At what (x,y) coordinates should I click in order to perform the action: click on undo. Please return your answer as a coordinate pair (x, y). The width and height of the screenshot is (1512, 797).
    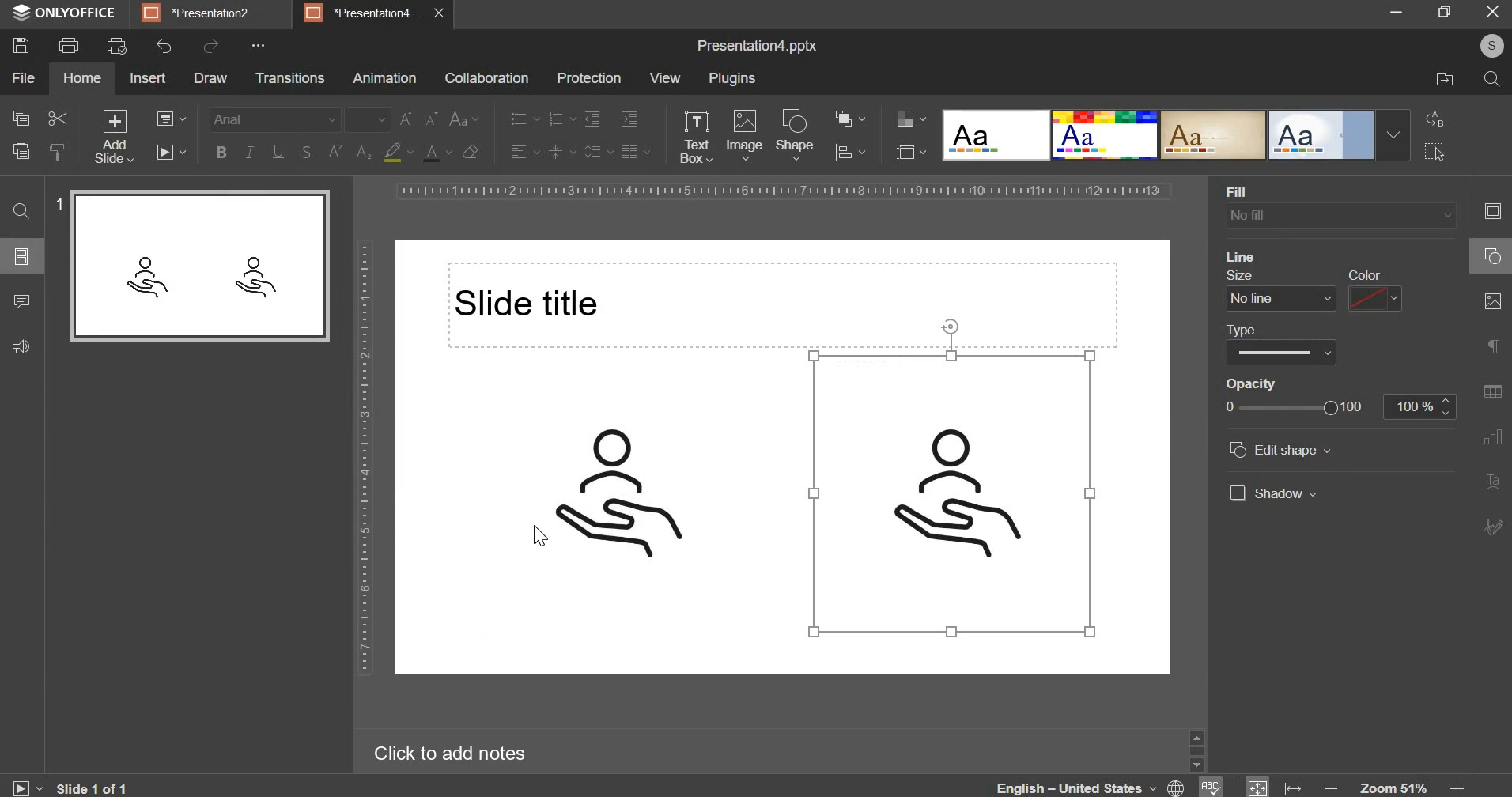
    Looking at the image, I should click on (161, 47).